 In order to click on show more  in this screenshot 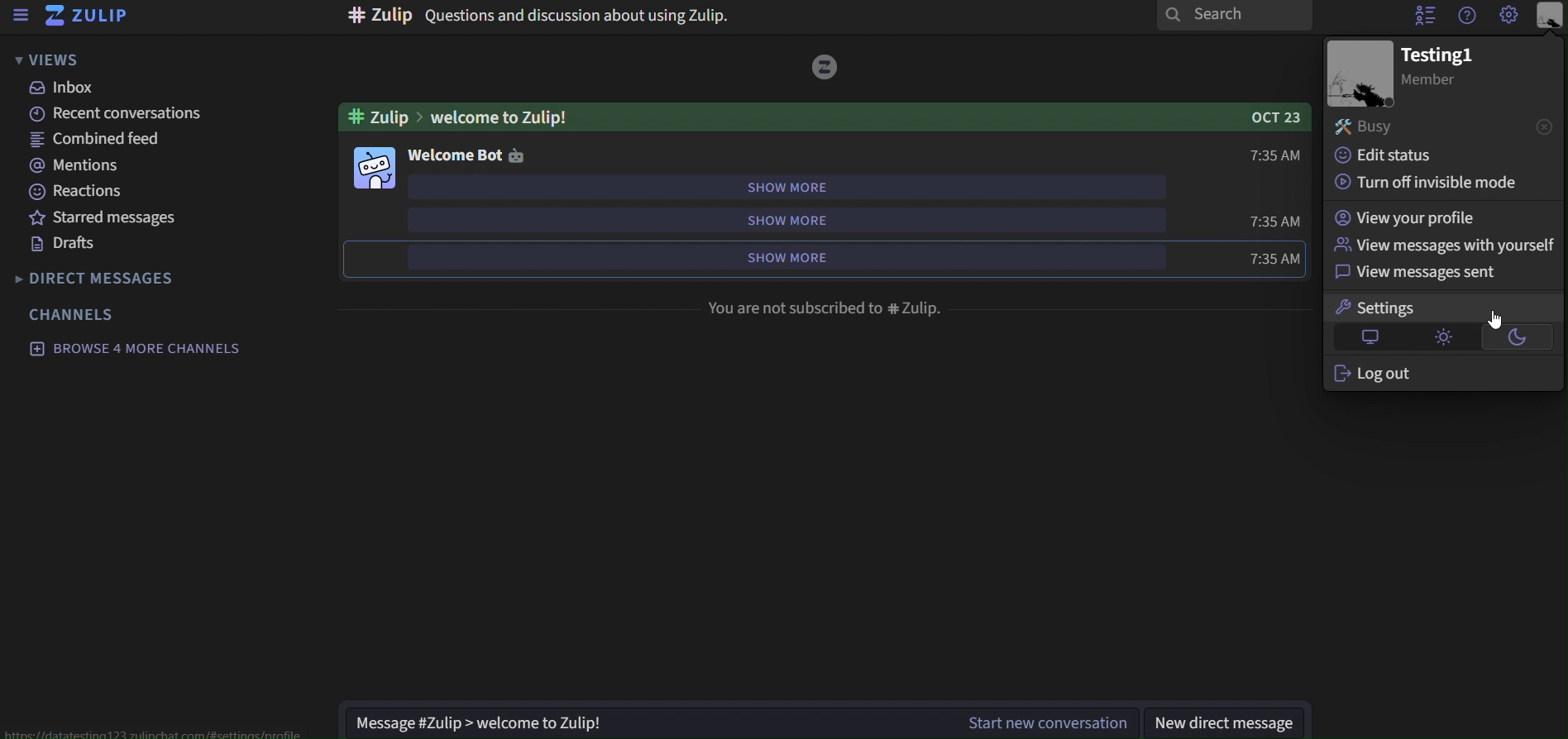, I will do `click(783, 220)`.